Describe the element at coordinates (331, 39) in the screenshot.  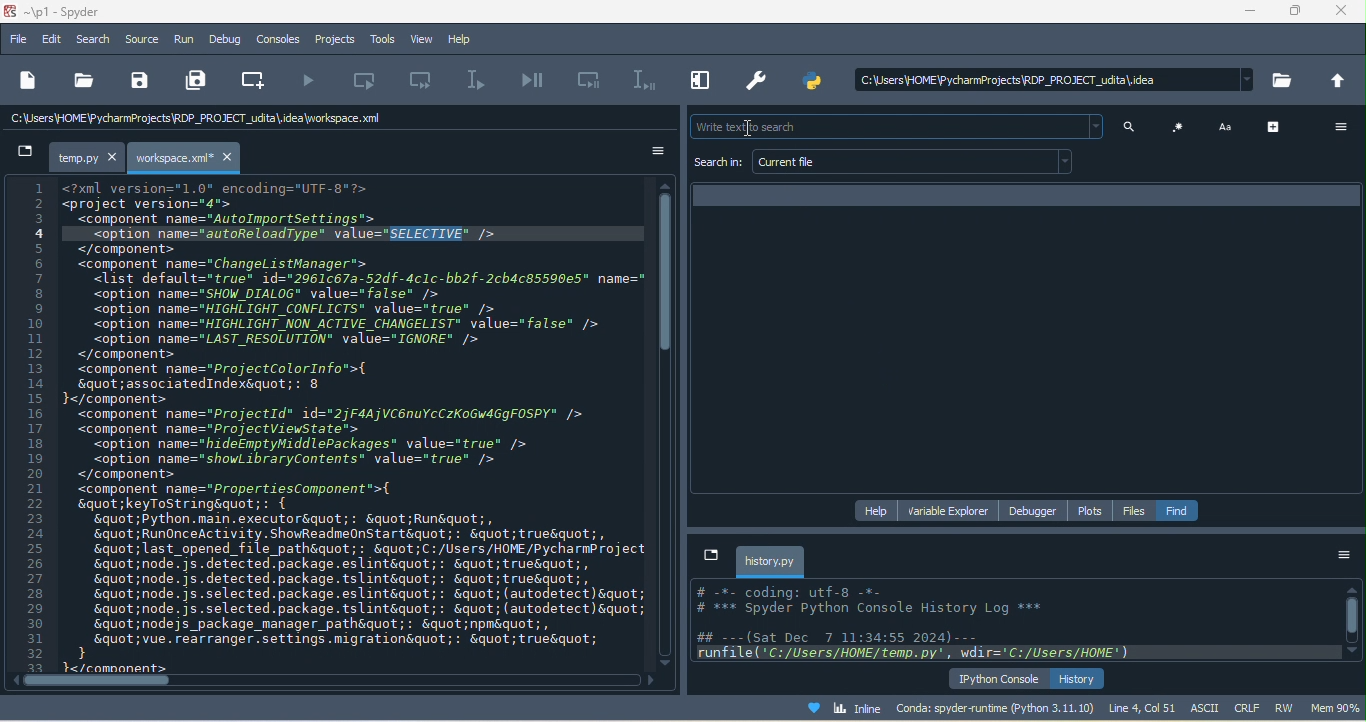
I see `projects` at that location.